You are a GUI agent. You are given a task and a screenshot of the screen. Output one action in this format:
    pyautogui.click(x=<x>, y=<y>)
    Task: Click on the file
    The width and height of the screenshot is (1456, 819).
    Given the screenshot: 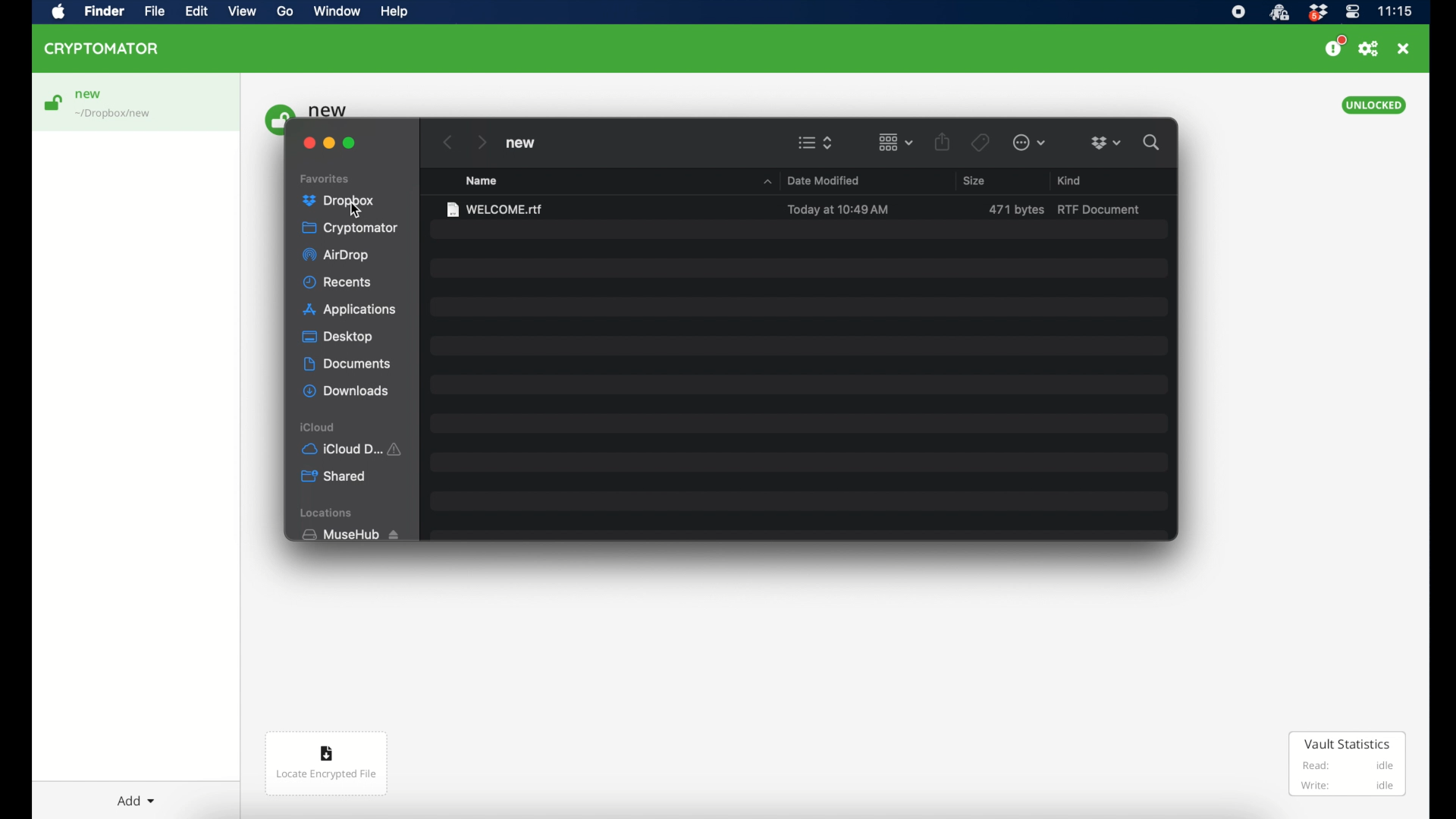 What is the action you would take?
    pyautogui.click(x=154, y=11)
    